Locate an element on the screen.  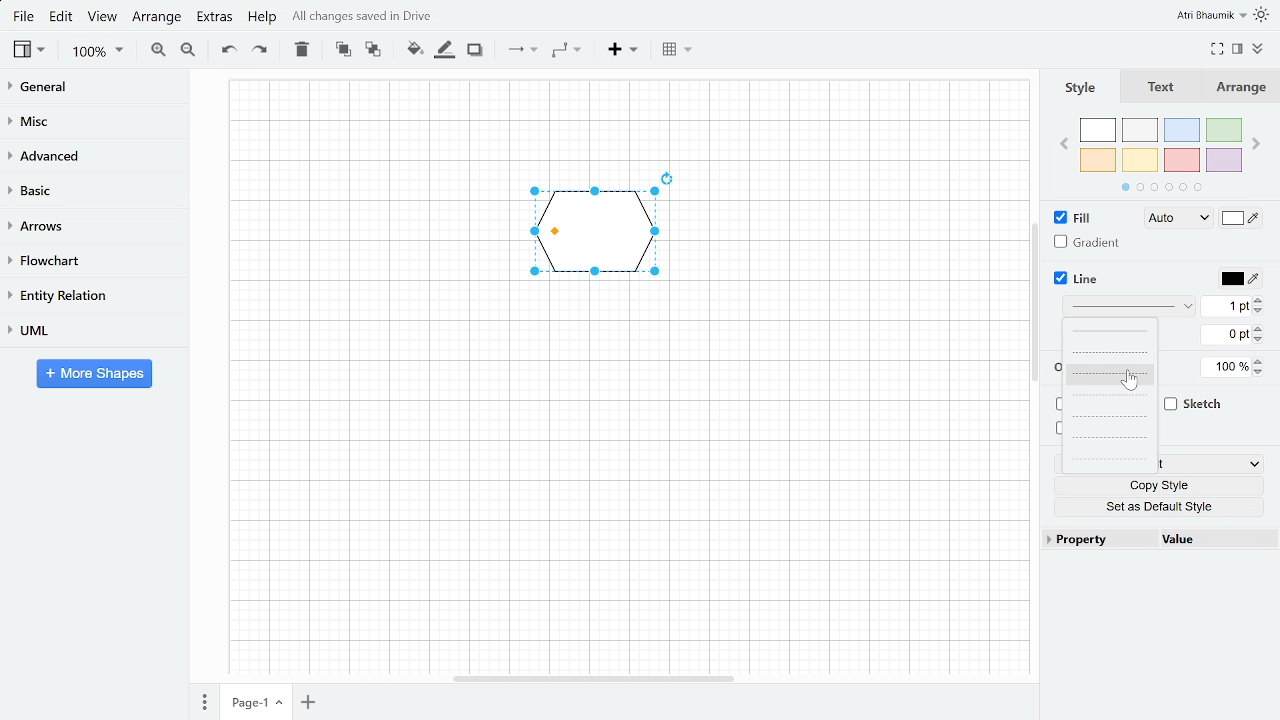
Decrease opacity is located at coordinates (1259, 374).